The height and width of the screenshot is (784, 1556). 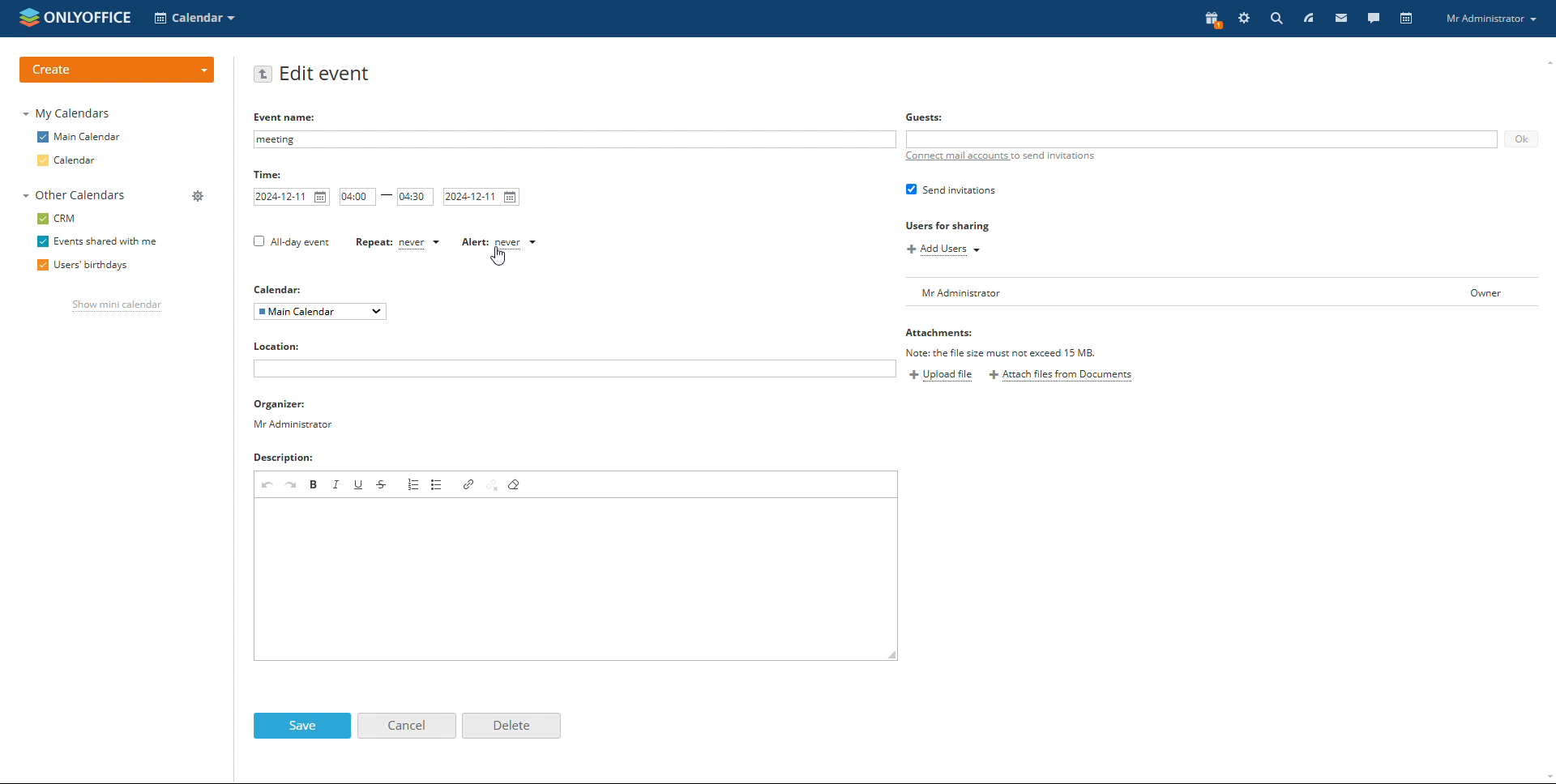 I want to click on bold, so click(x=314, y=484).